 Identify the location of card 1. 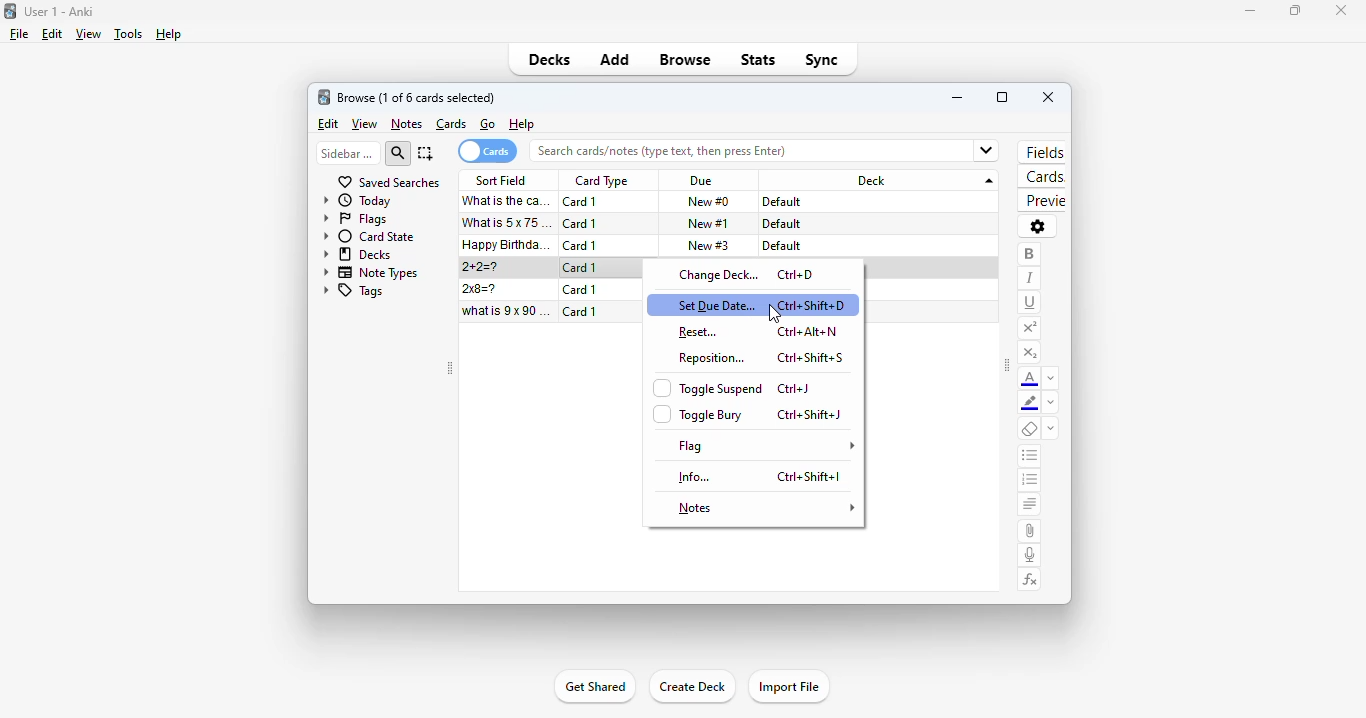
(581, 311).